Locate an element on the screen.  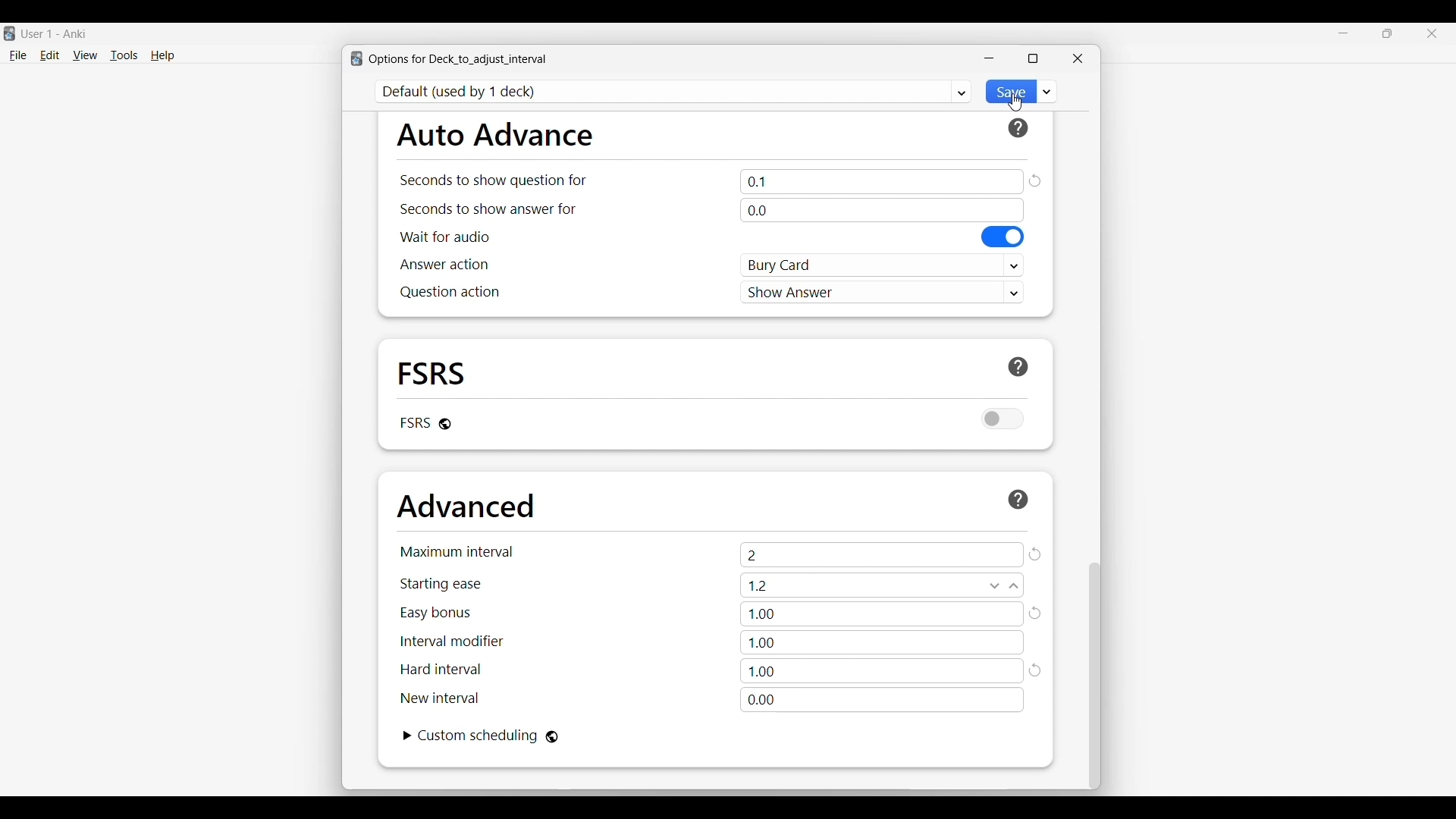
cursor is located at coordinates (1015, 104).